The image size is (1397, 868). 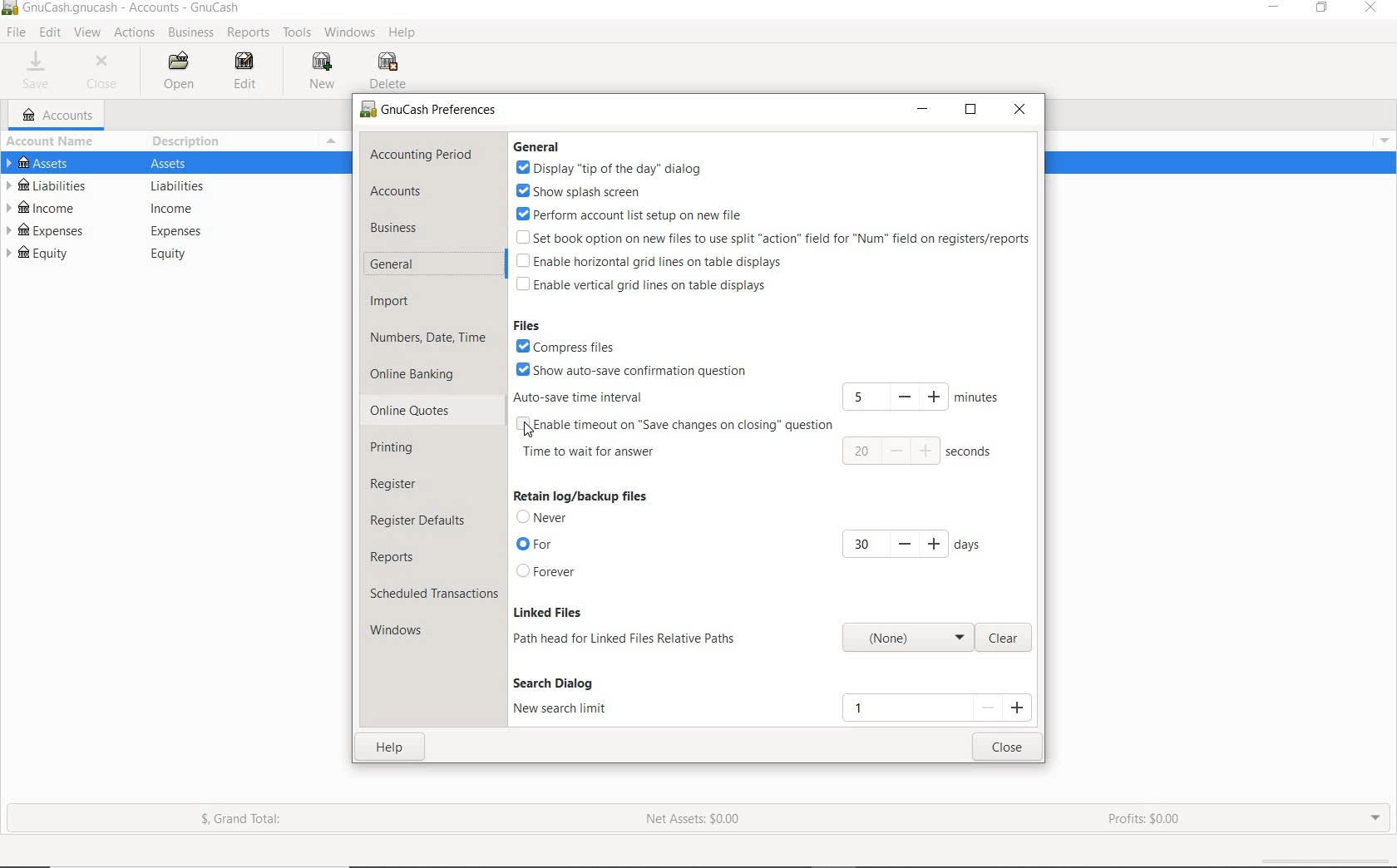 I want to click on CLOSE, so click(x=1019, y=111).